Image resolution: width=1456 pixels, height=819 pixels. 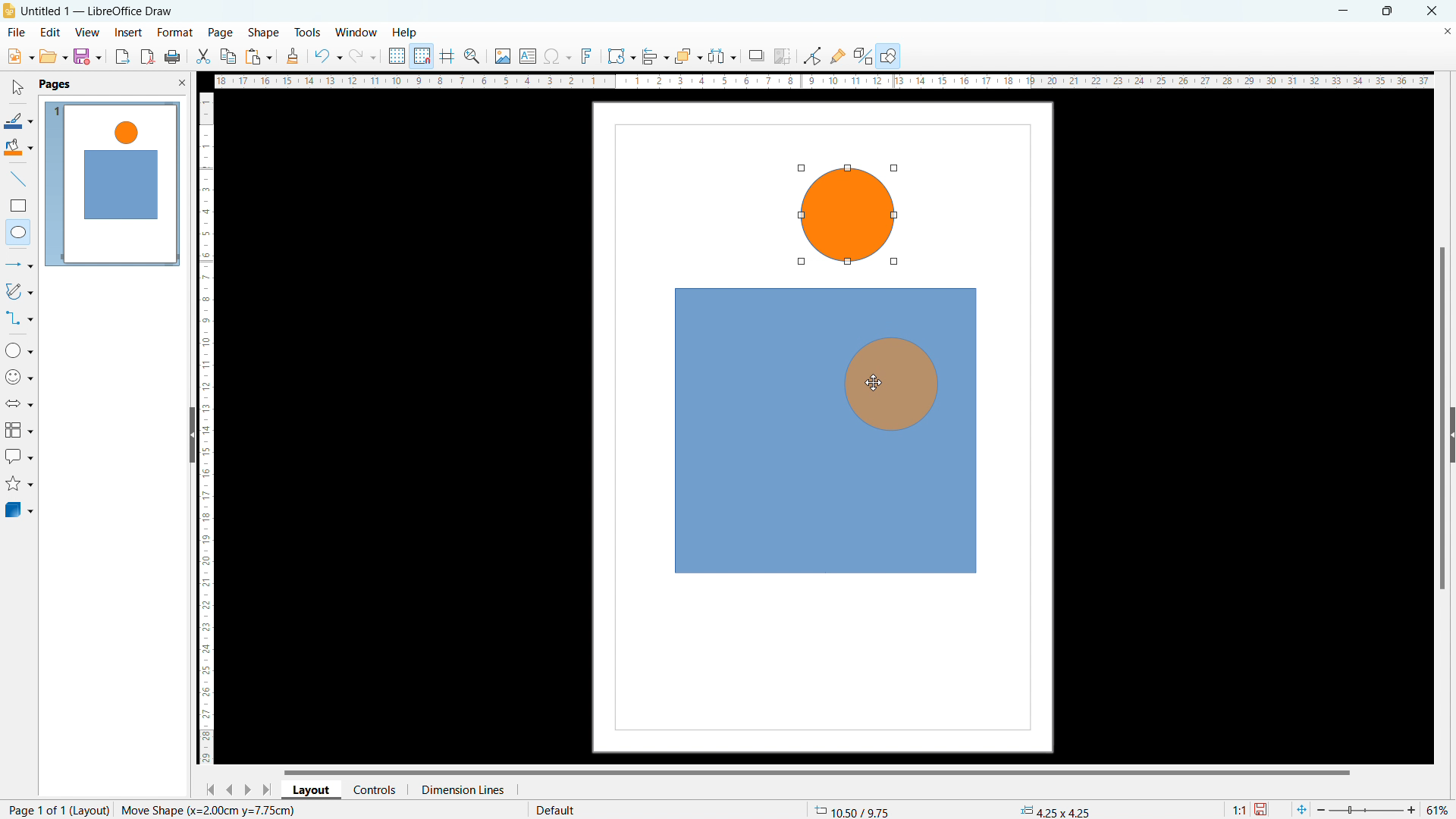 What do you see at coordinates (20, 318) in the screenshot?
I see `connectors` at bounding box center [20, 318].